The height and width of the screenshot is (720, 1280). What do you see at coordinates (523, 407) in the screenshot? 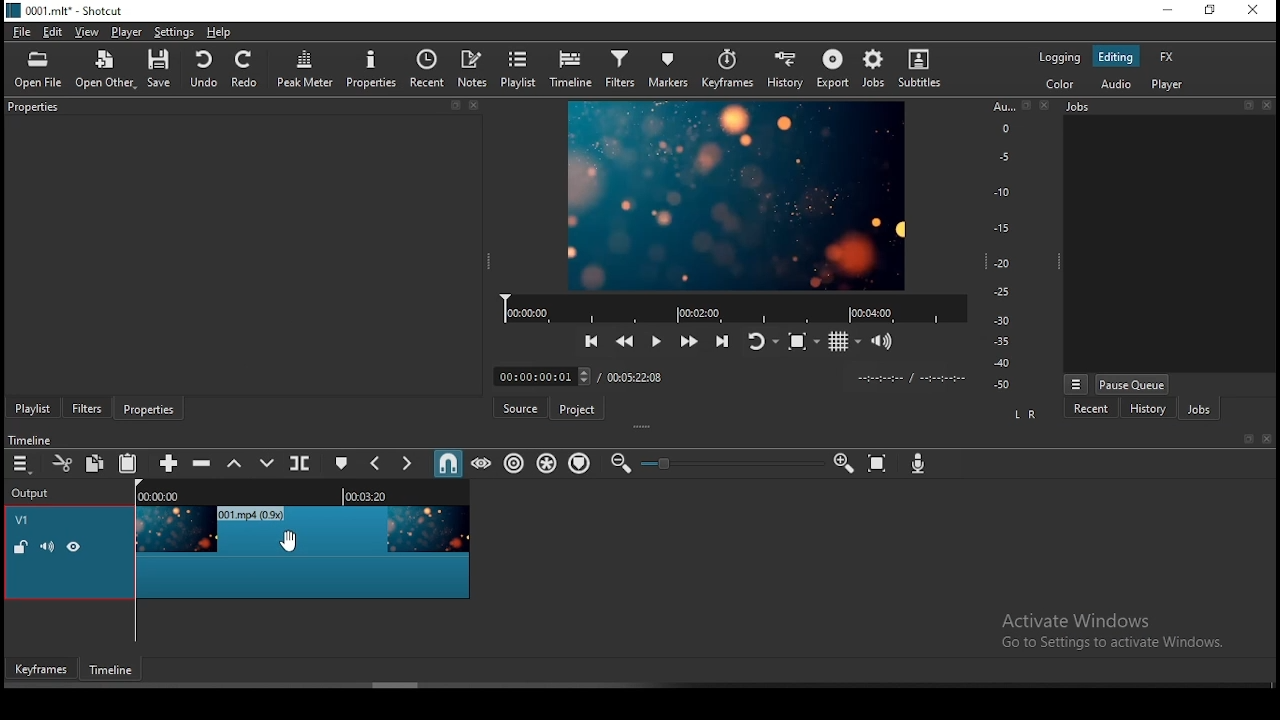
I see `source` at bounding box center [523, 407].